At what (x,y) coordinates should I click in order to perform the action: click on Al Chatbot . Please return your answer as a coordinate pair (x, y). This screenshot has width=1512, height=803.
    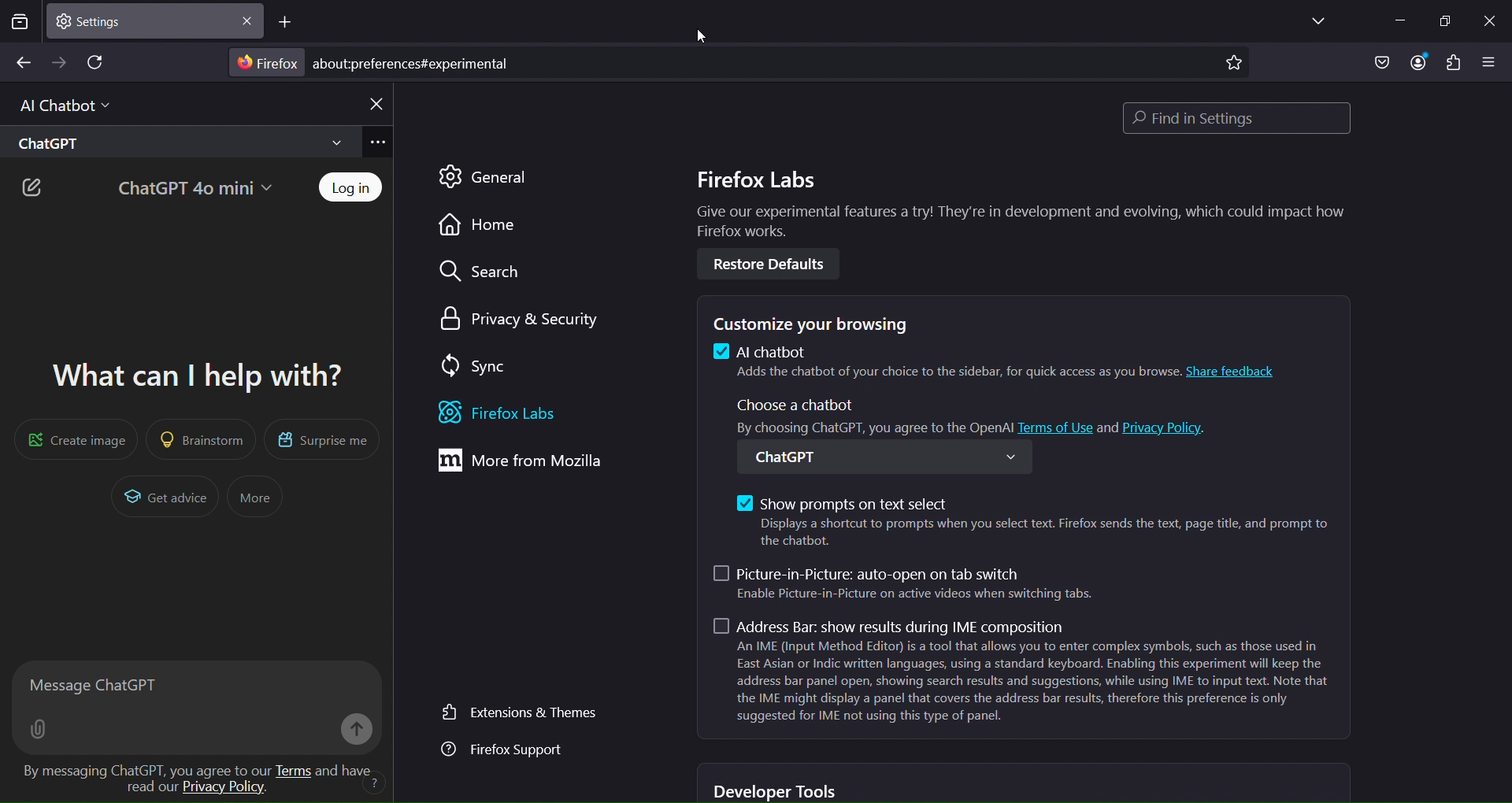
    Looking at the image, I should click on (58, 103).